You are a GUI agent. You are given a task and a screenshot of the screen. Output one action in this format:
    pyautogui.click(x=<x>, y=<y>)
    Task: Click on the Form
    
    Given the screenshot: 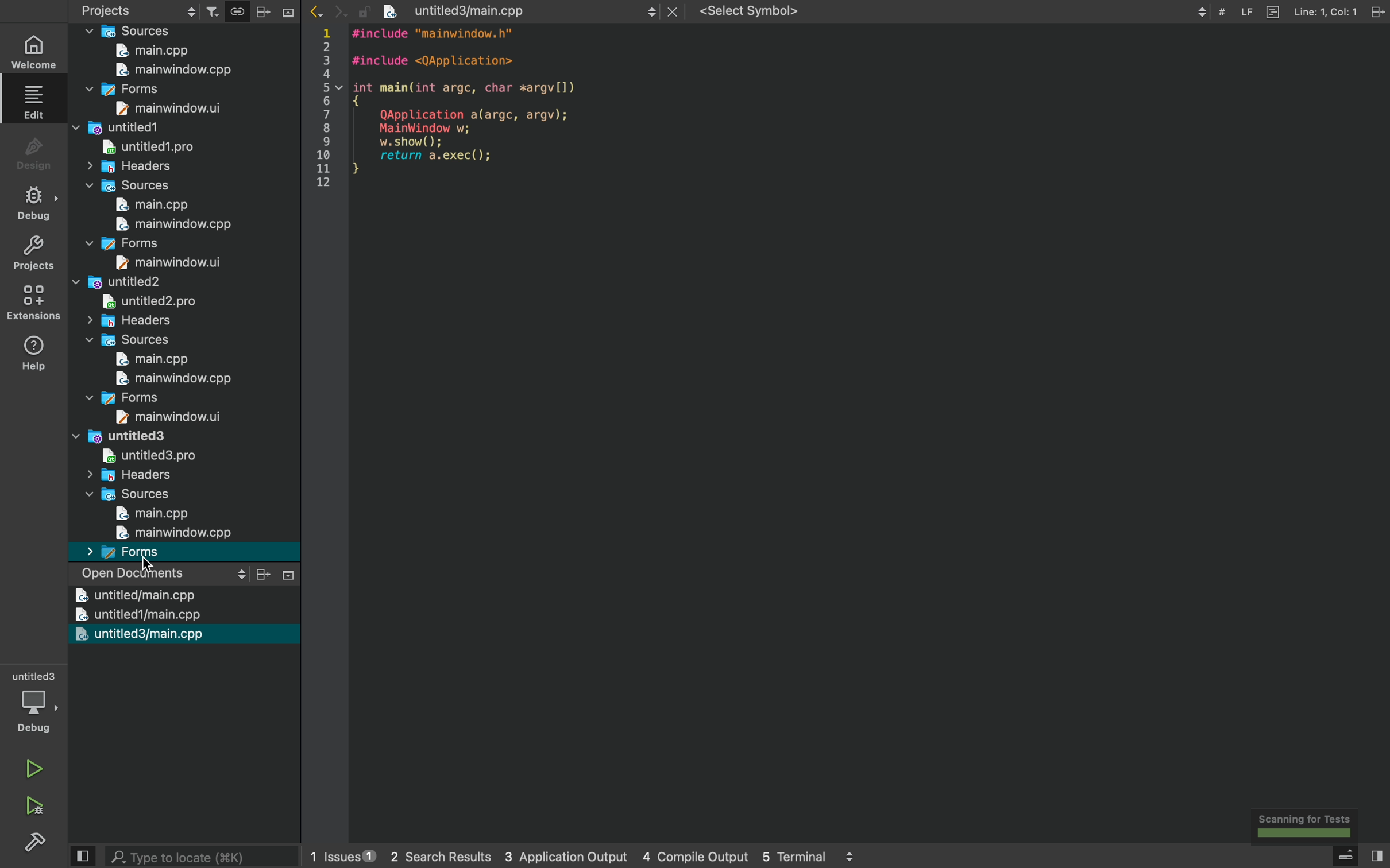 What is the action you would take?
    pyautogui.click(x=121, y=91)
    